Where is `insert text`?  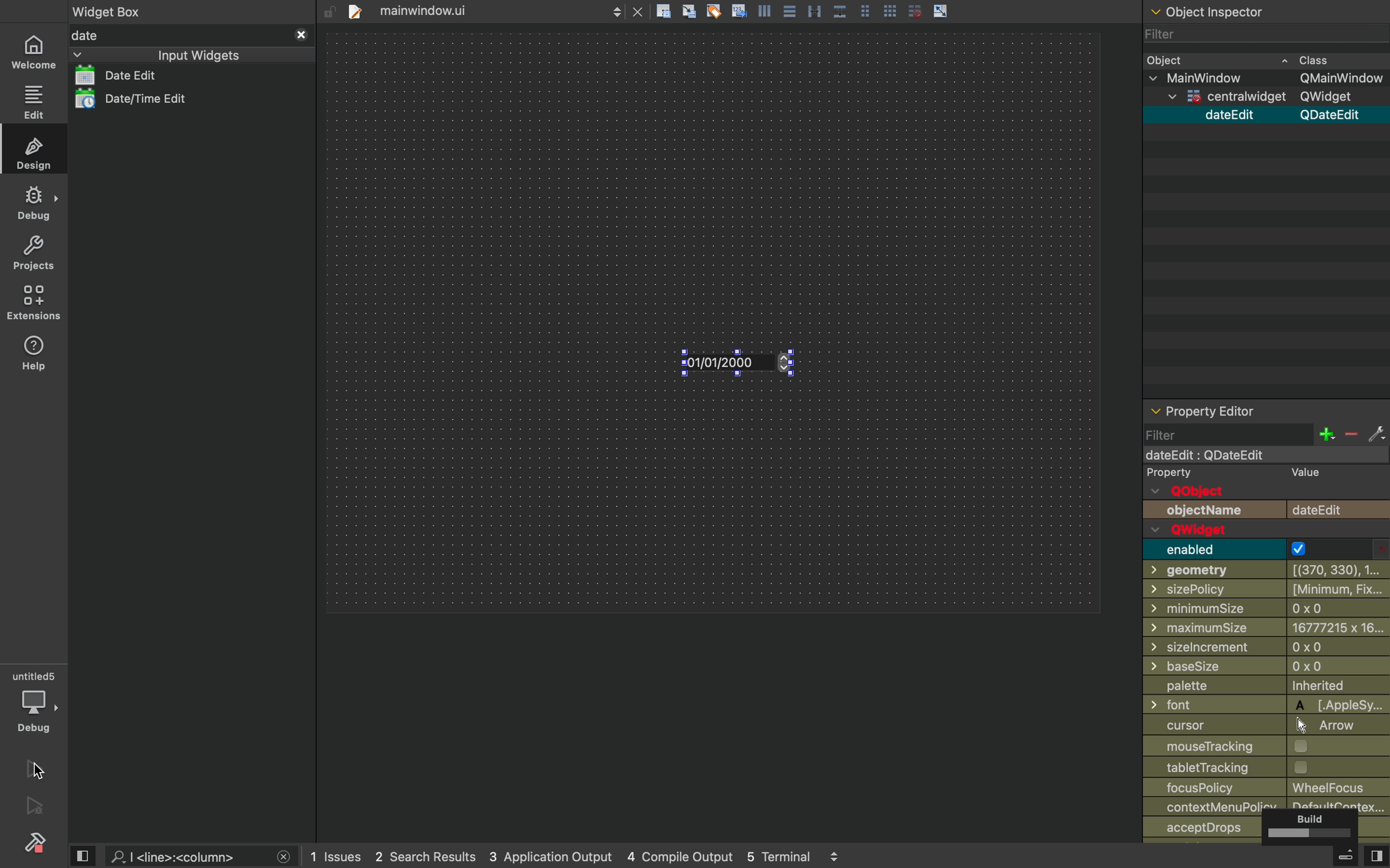
insert text is located at coordinates (738, 10).